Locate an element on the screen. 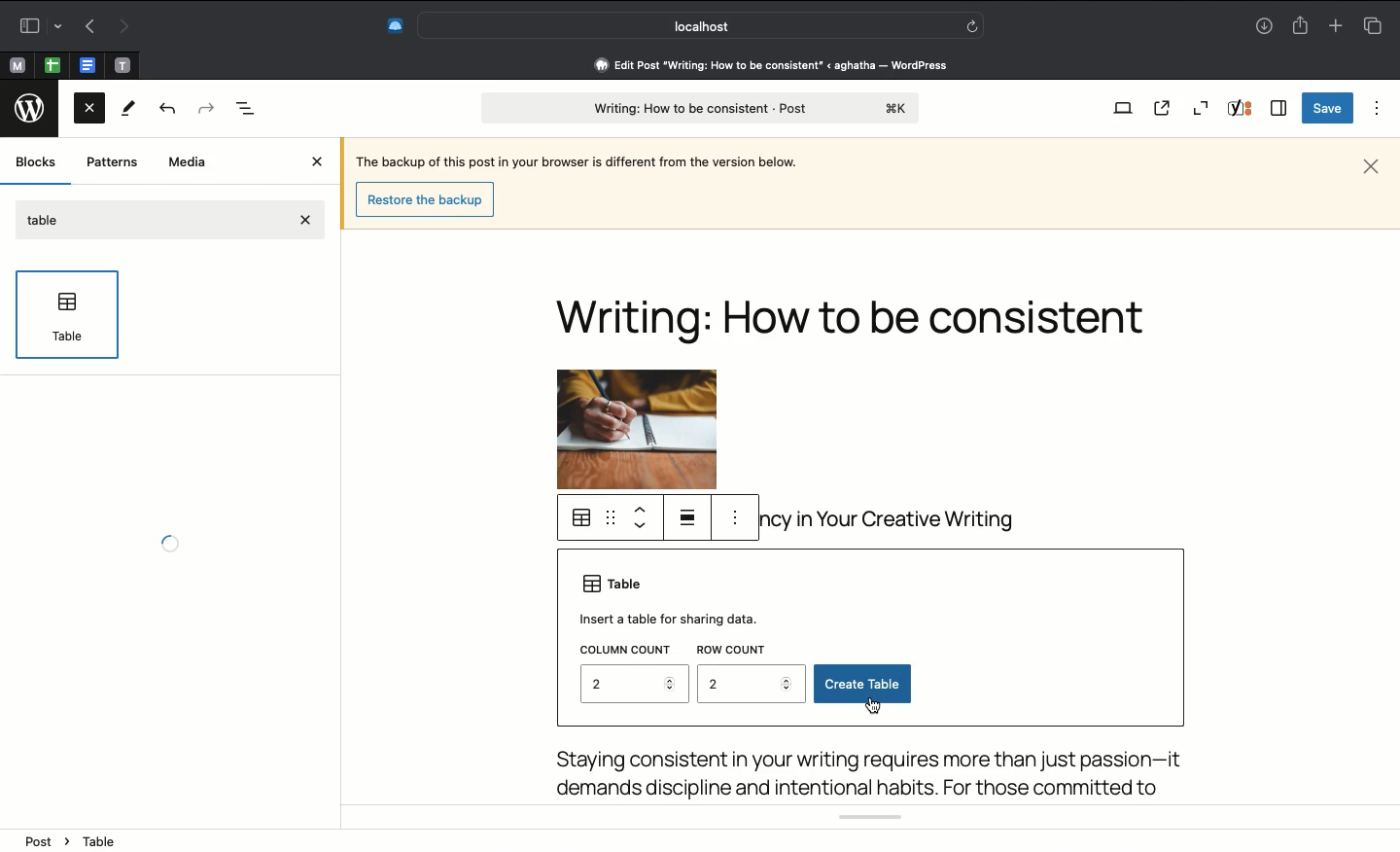  Table is located at coordinates (625, 587).